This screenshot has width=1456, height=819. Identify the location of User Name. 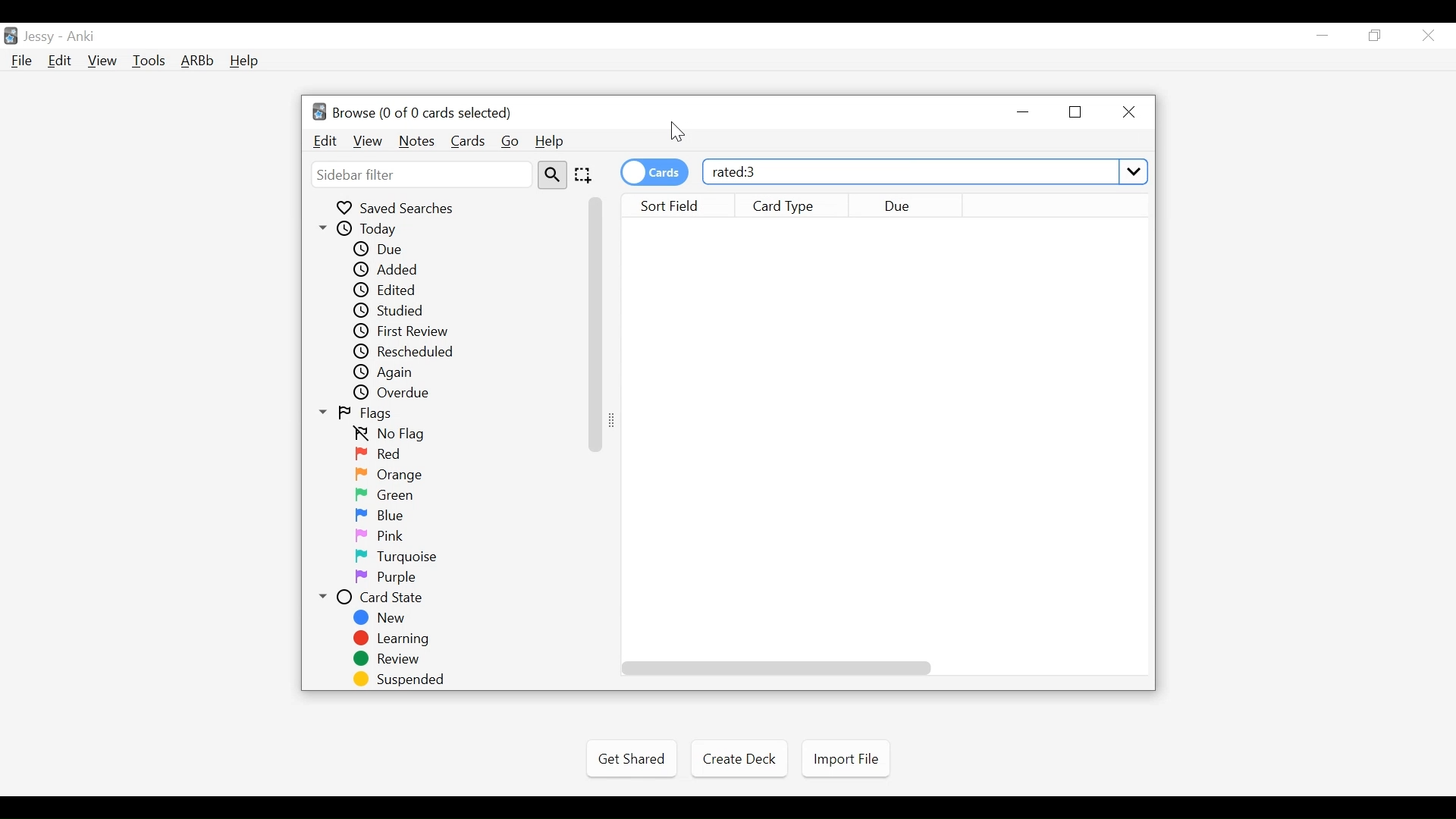
(39, 37).